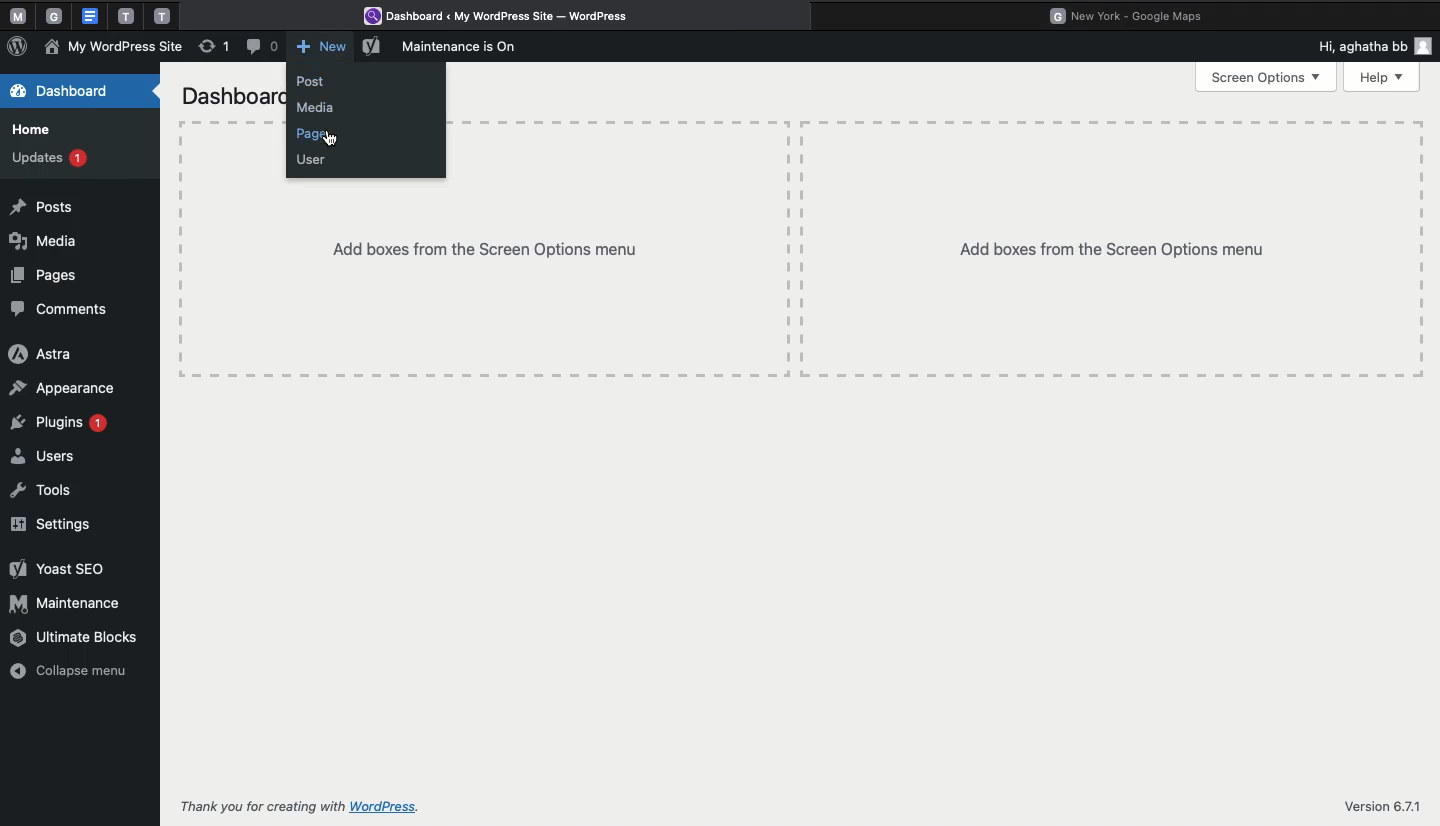 Image resolution: width=1440 pixels, height=826 pixels. What do you see at coordinates (1109, 246) in the screenshot?
I see `add boxes from the screen options menu` at bounding box center [1109, 246].